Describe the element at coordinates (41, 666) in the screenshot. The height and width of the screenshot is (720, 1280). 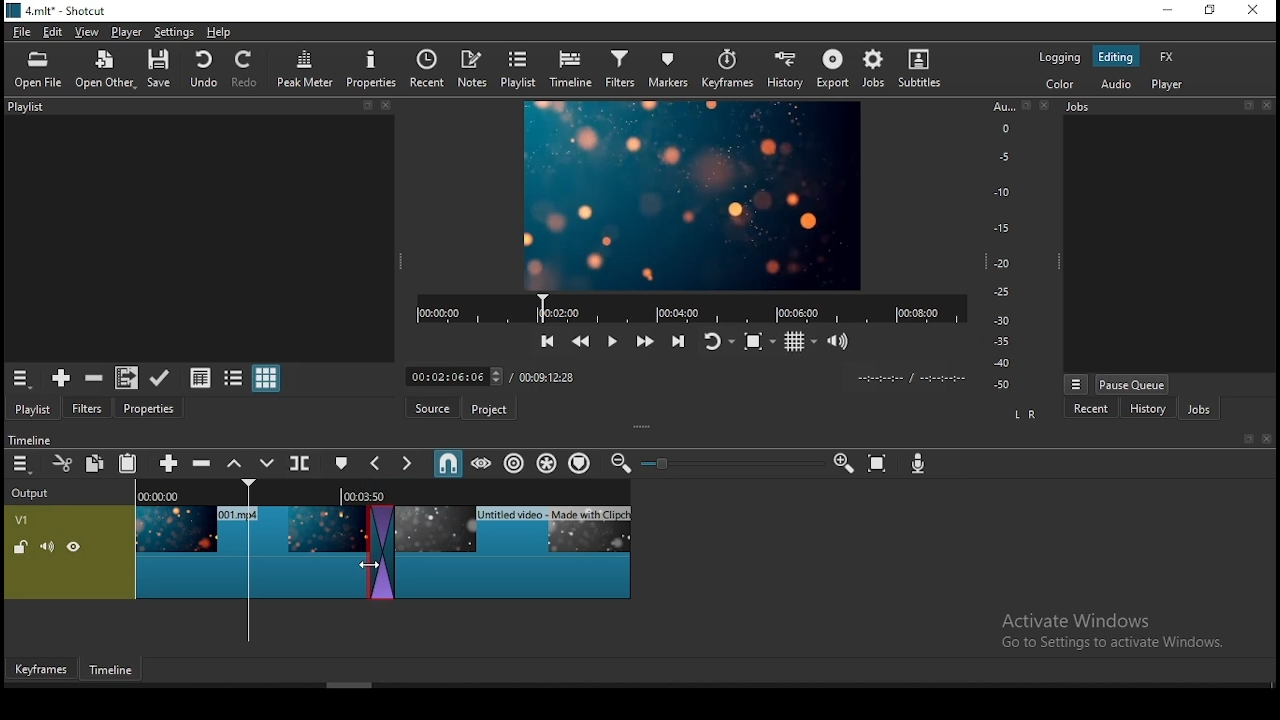
I see `keyframes` at that location.